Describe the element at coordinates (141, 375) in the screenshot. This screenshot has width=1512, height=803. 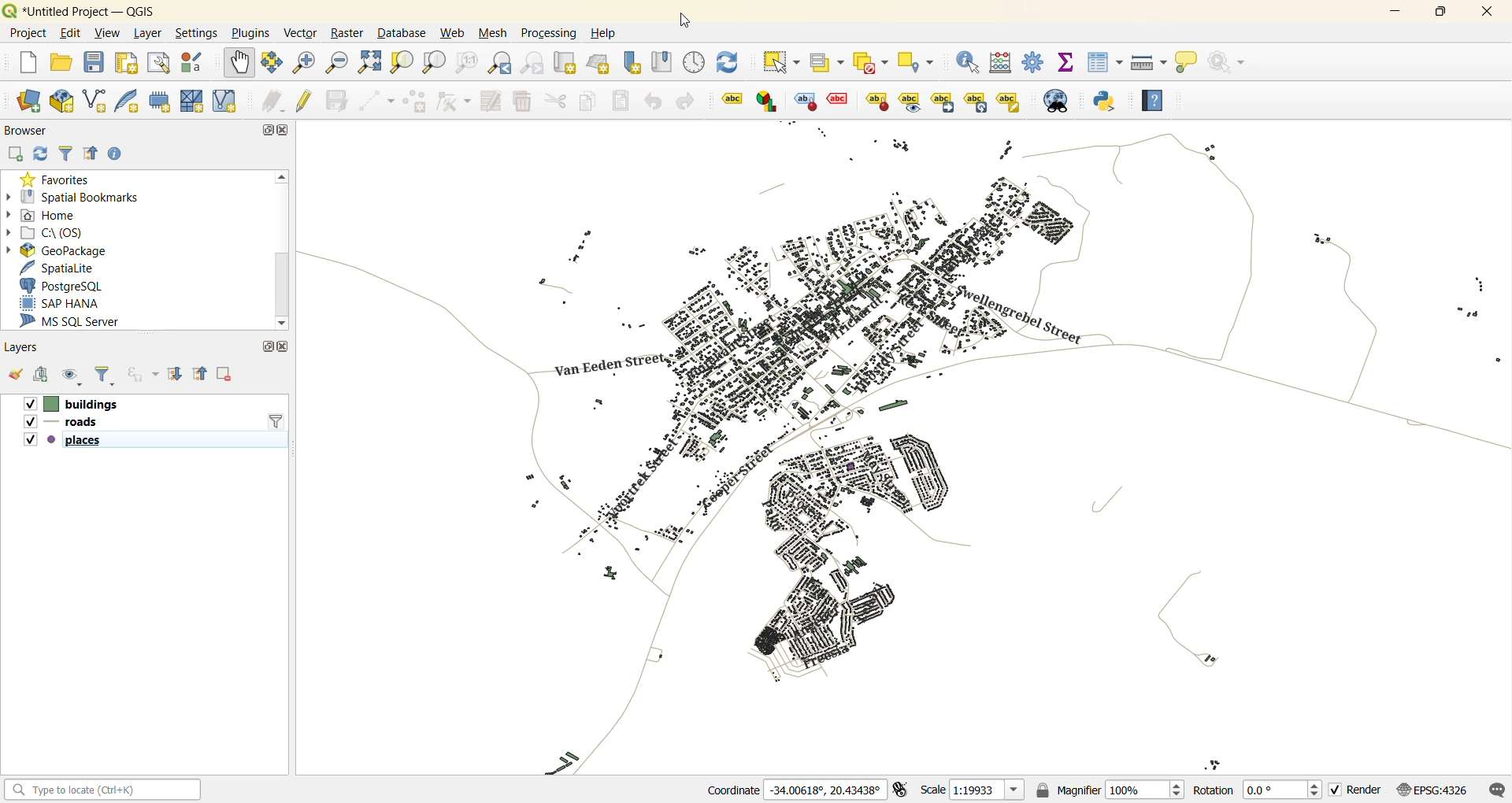
I see `filter by experience` at that location.